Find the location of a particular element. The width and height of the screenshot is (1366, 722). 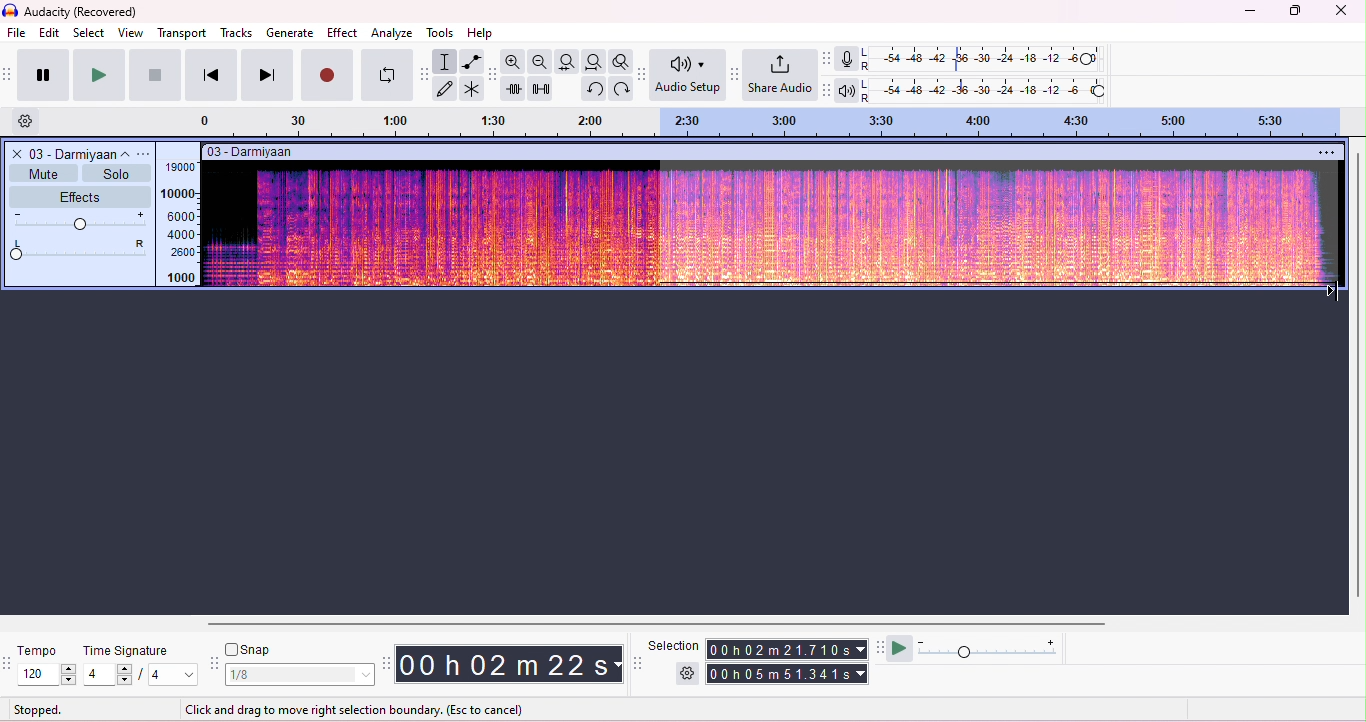

selection options is located at coordinates (689, 672).